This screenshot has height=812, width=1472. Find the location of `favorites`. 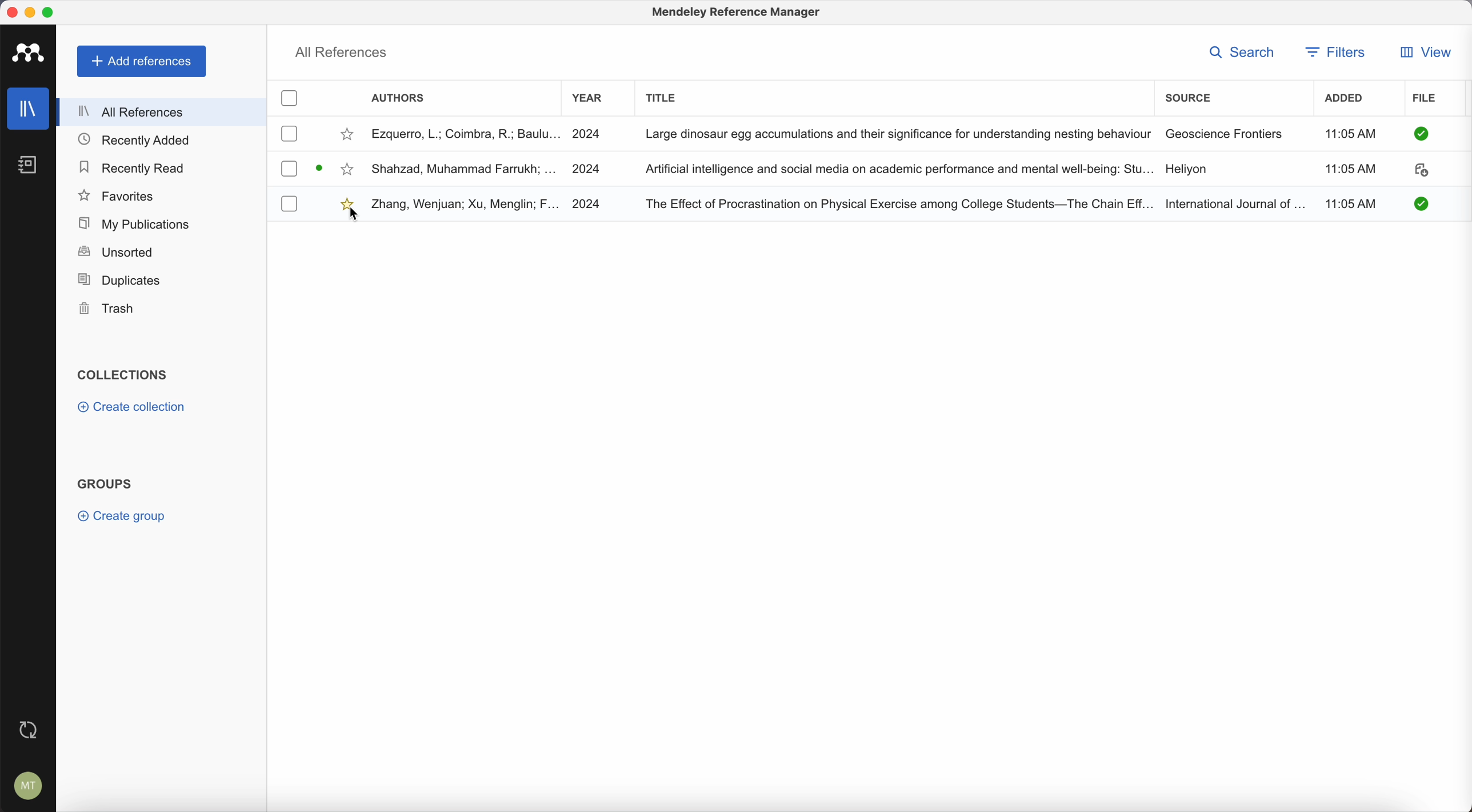

favorites is located at coordinates (118, 195).